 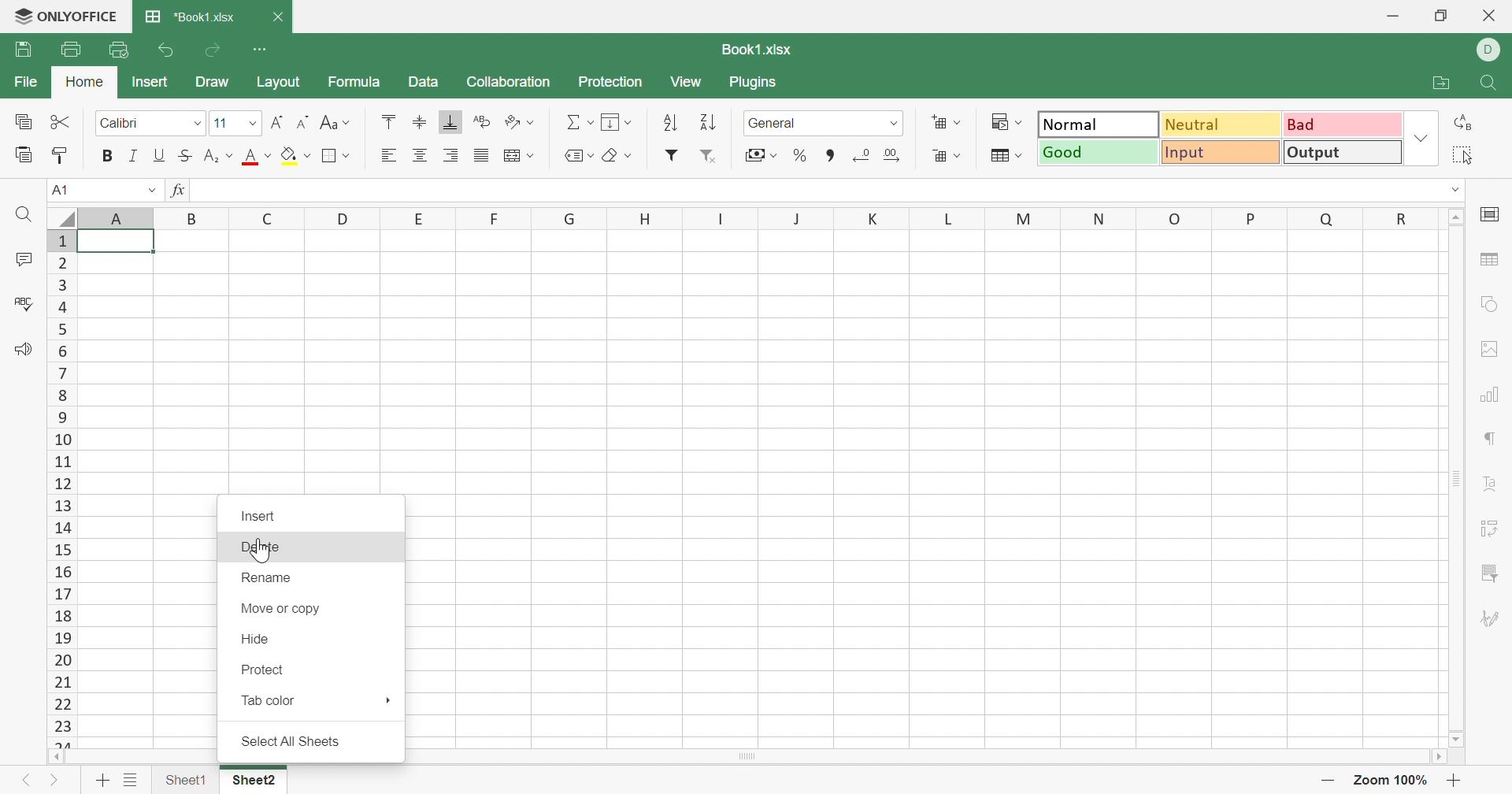 What do you see at coordinates (264, 49) in the screenshot?
I see `Customize Quick access toolbar` at bounding box center [264, 49].